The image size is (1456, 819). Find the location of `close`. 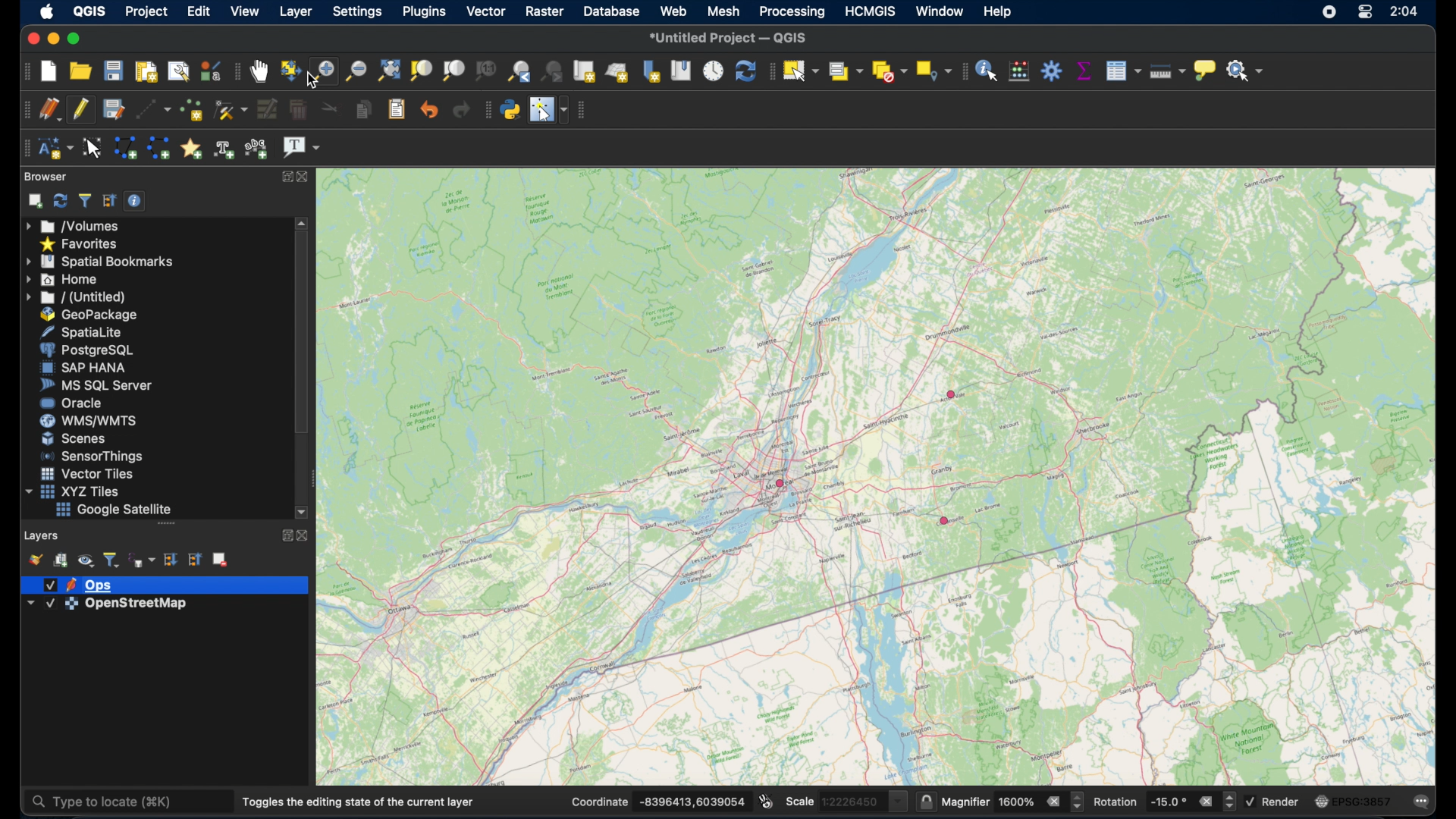

close is located at coordinates (307, 536).